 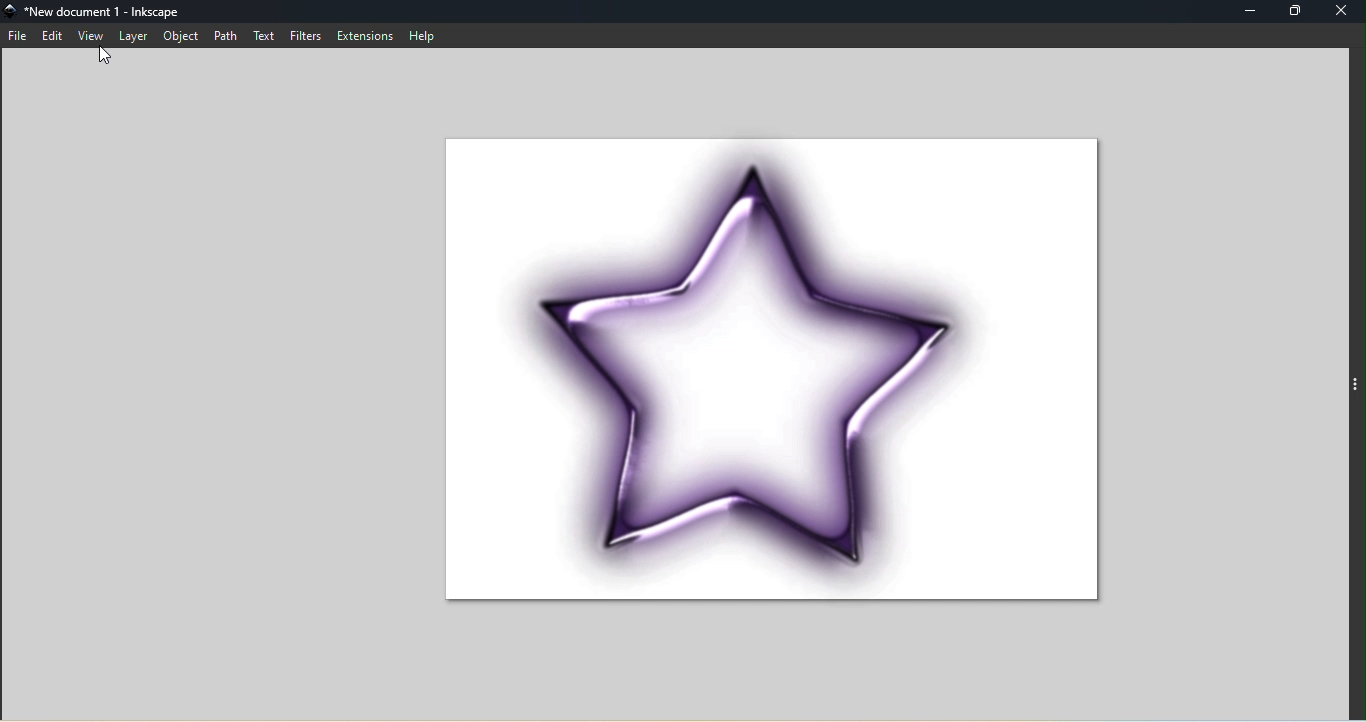 I want to click on Maximize, so click(x=1297, y=10).